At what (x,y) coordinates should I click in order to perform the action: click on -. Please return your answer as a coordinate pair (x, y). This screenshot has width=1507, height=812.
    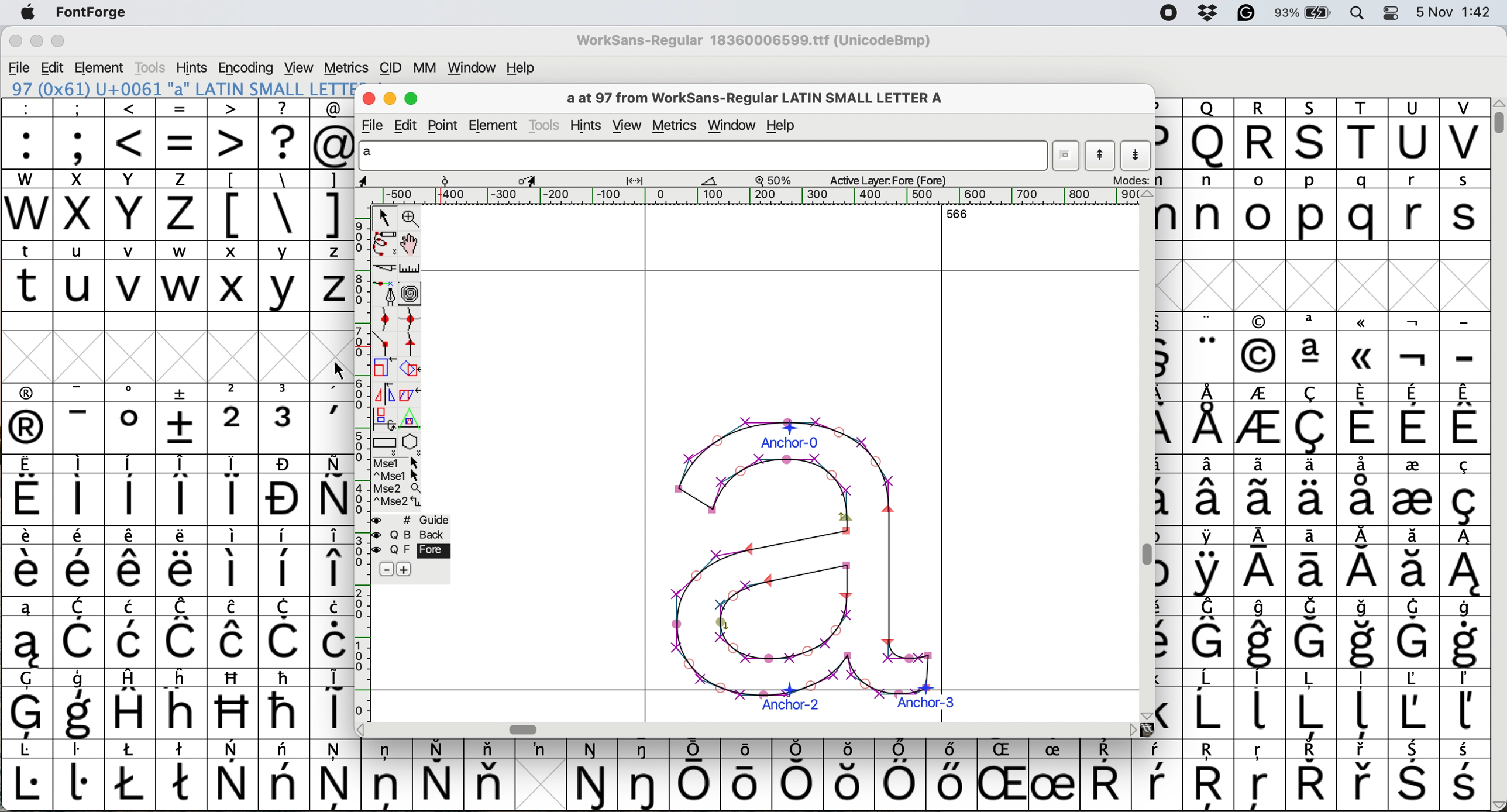
    Looking at the image, I should click on (1465, 349).